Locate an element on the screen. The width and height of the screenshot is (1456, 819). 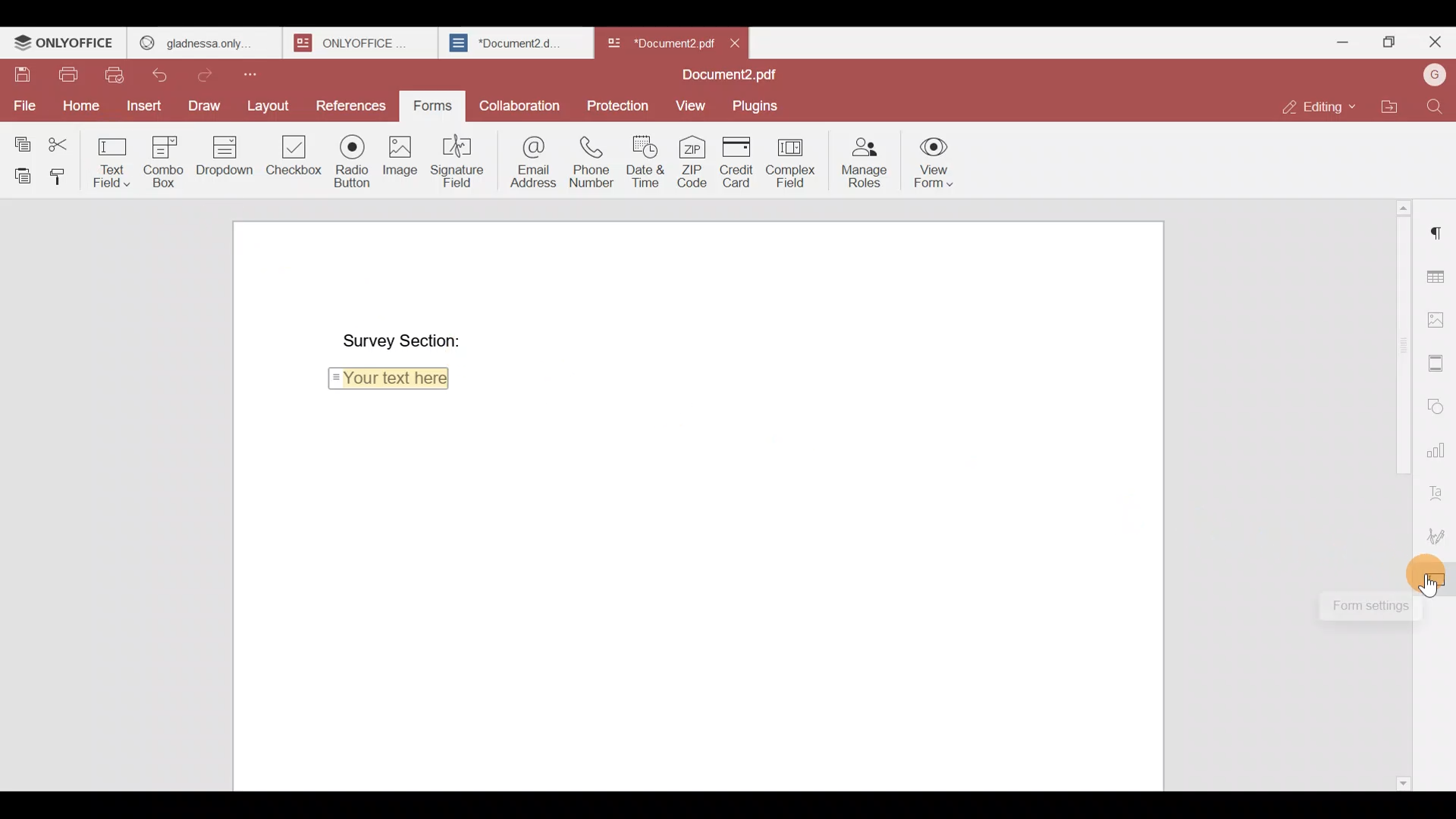
Customize quick access toolbar is located at coordinates (265, 73).